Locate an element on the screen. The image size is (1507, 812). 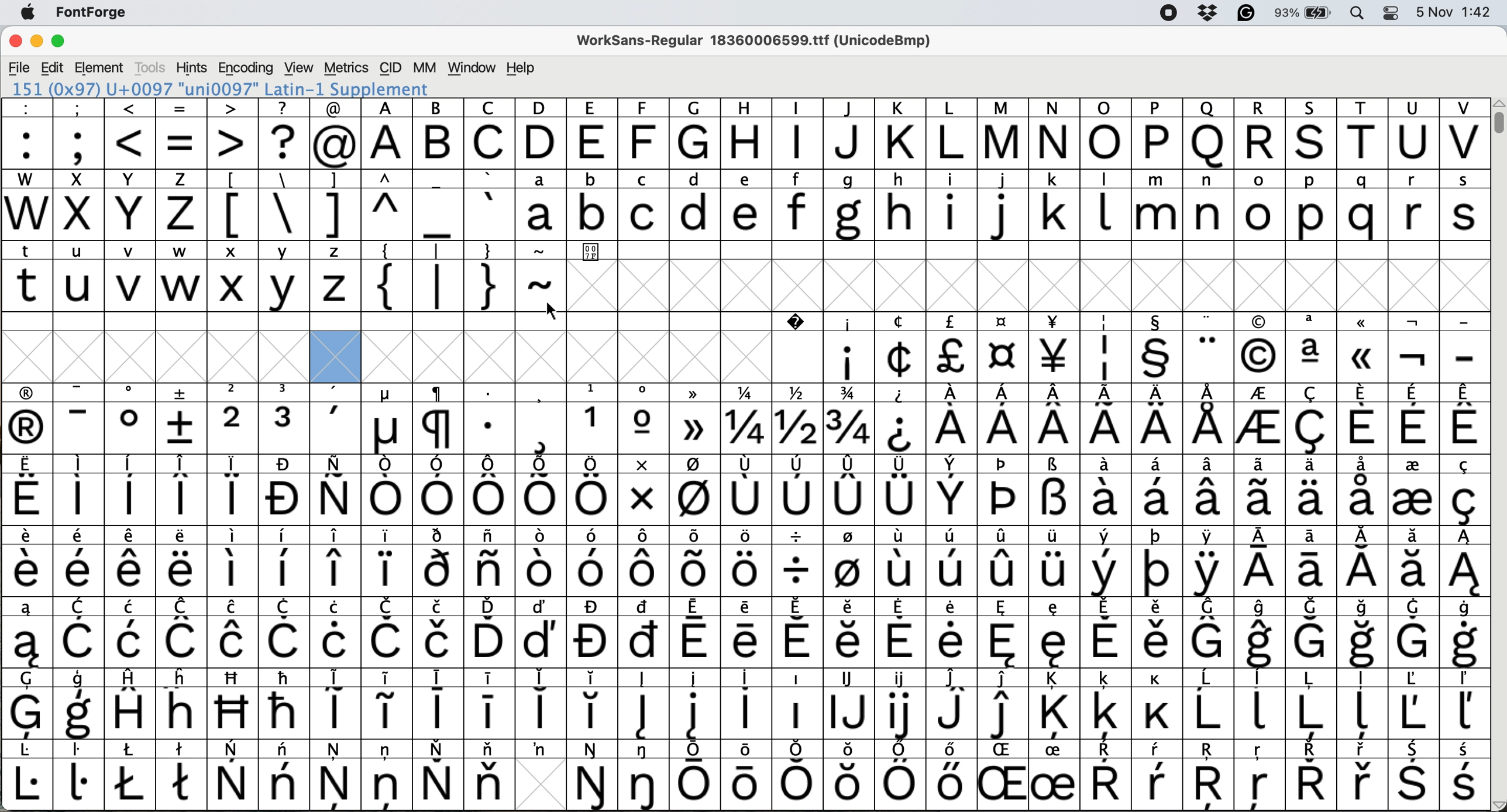
symbol is located at coordinates (488, 418).